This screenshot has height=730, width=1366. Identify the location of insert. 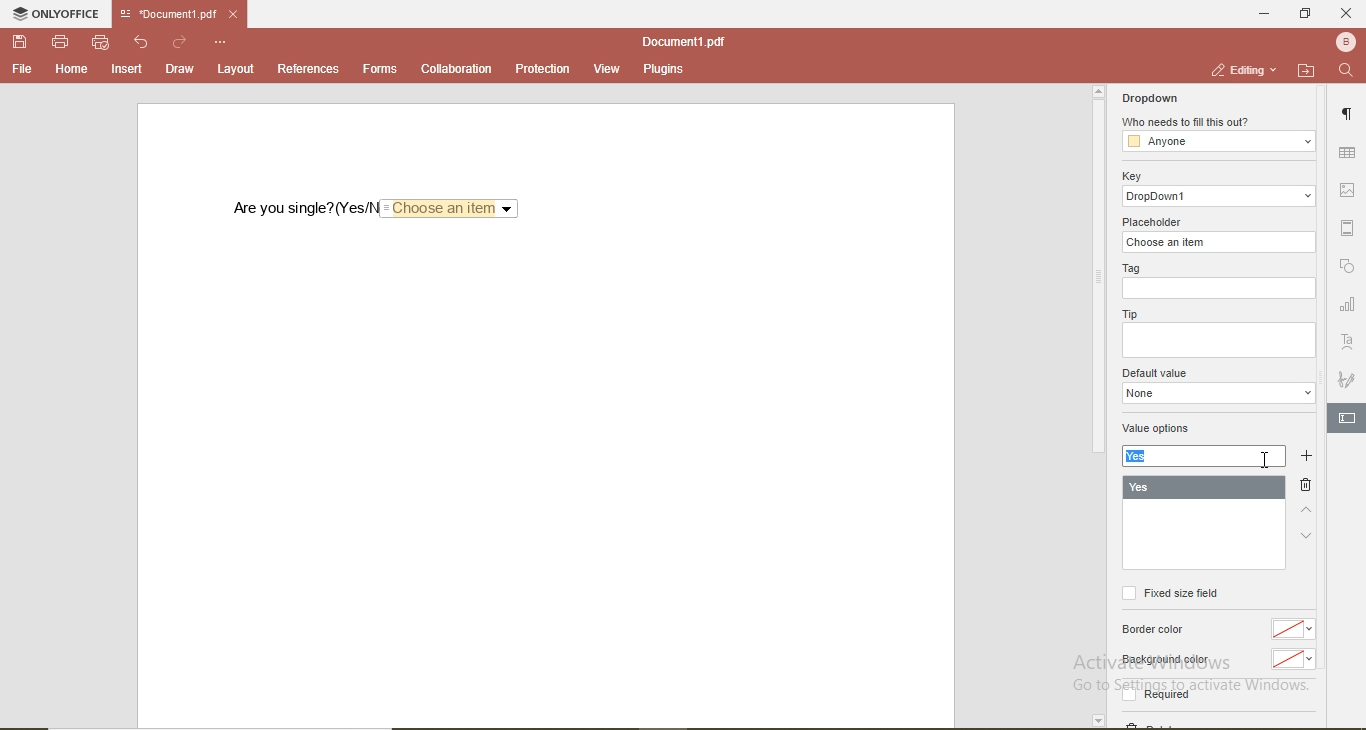
(127, 71).